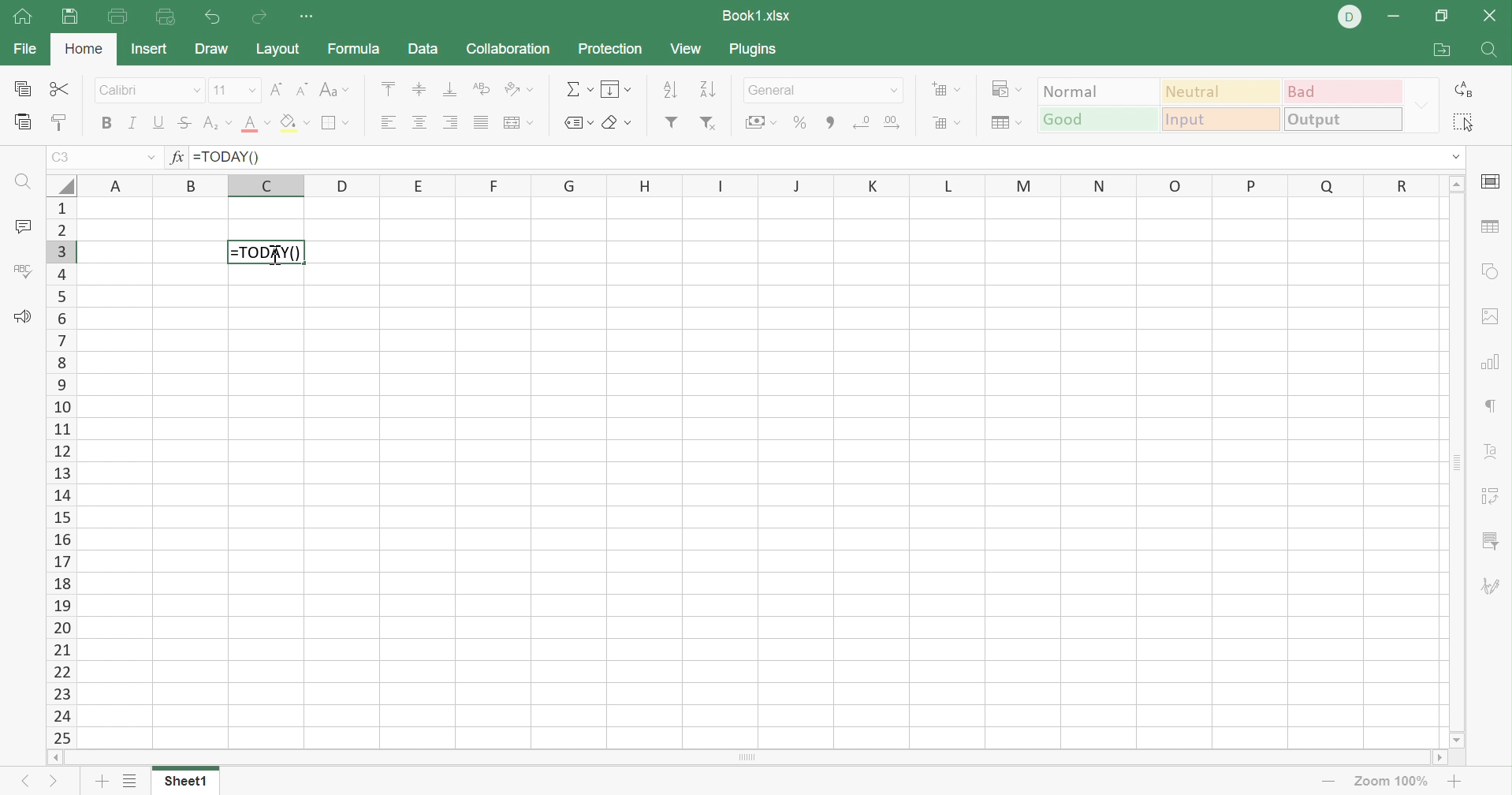 The width and height of the screenshot is (1512, 795). I want to click on Feedback & Support, so click(24, 319).